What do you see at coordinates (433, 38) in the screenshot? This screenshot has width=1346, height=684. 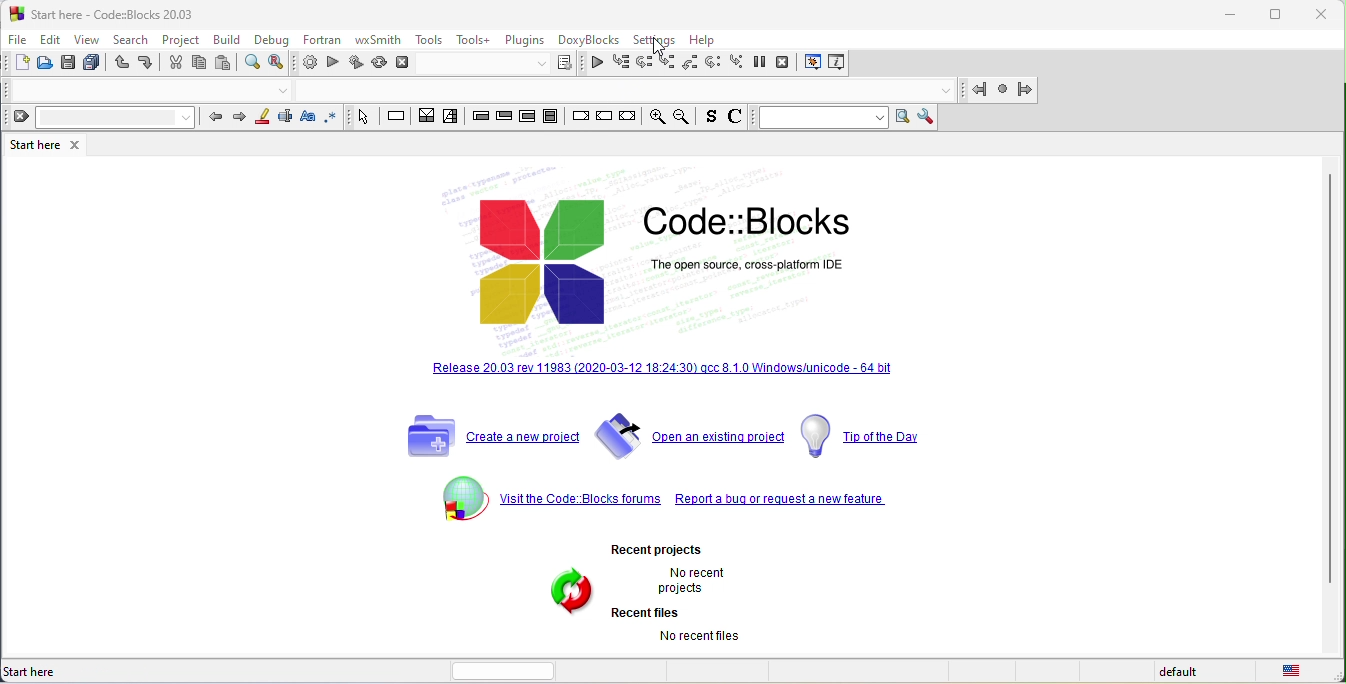 I see `tools` at bounding box center [433, 38].